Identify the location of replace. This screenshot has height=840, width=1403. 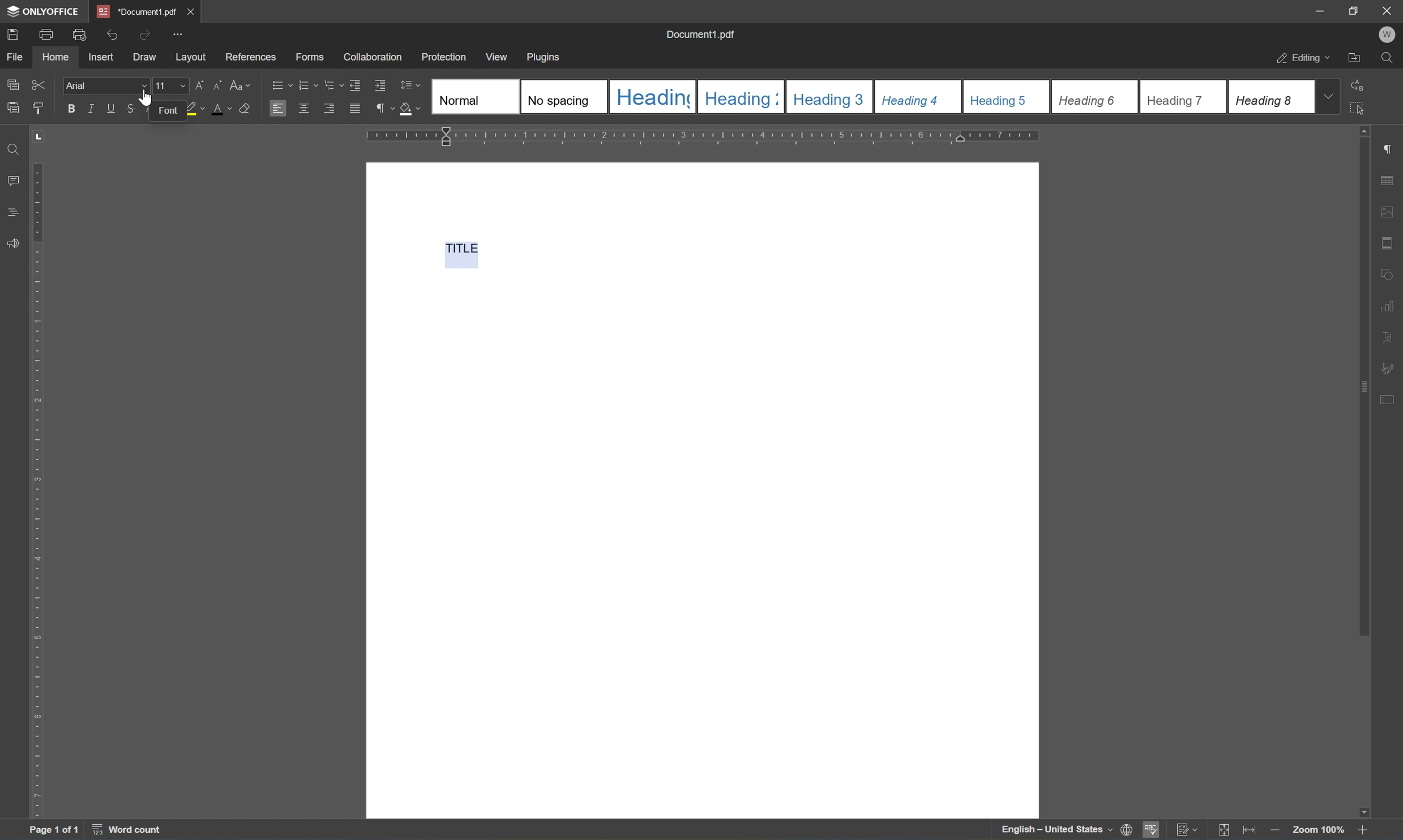
(1355, 86).